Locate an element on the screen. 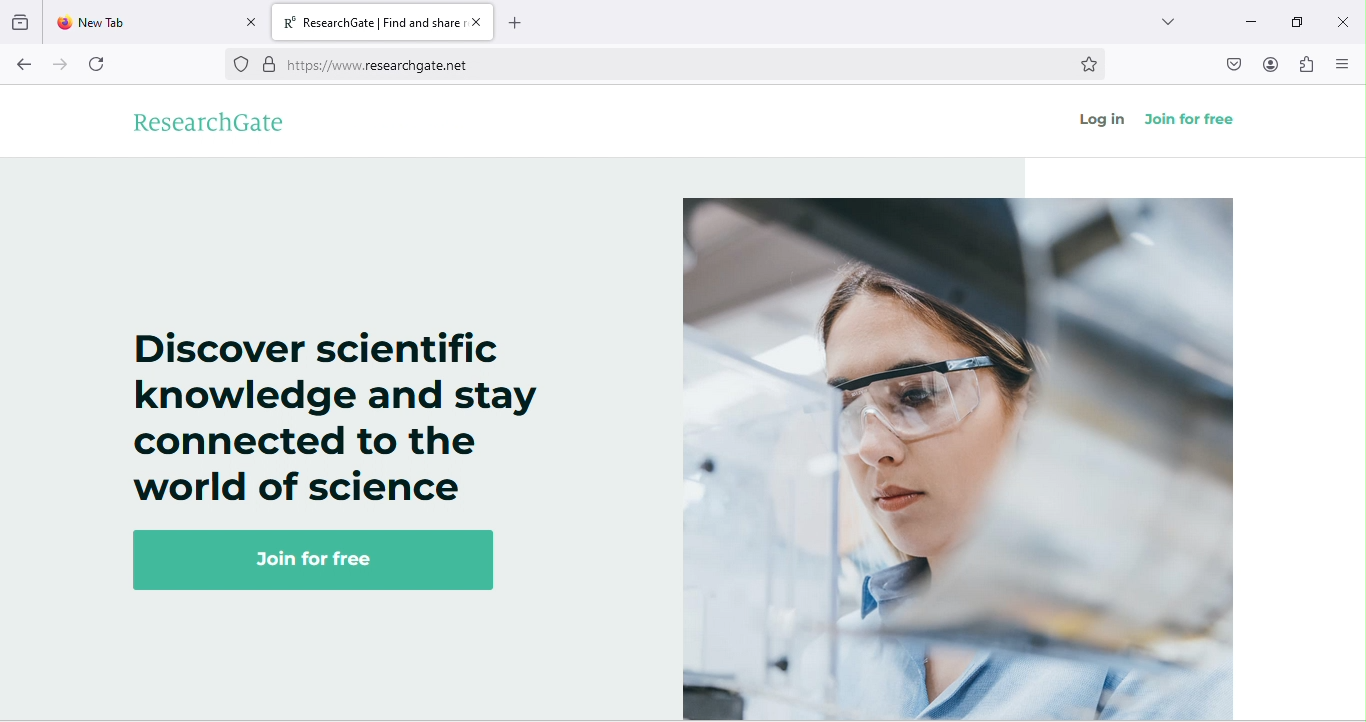  bookmark is located at coordinates (1093, 64).